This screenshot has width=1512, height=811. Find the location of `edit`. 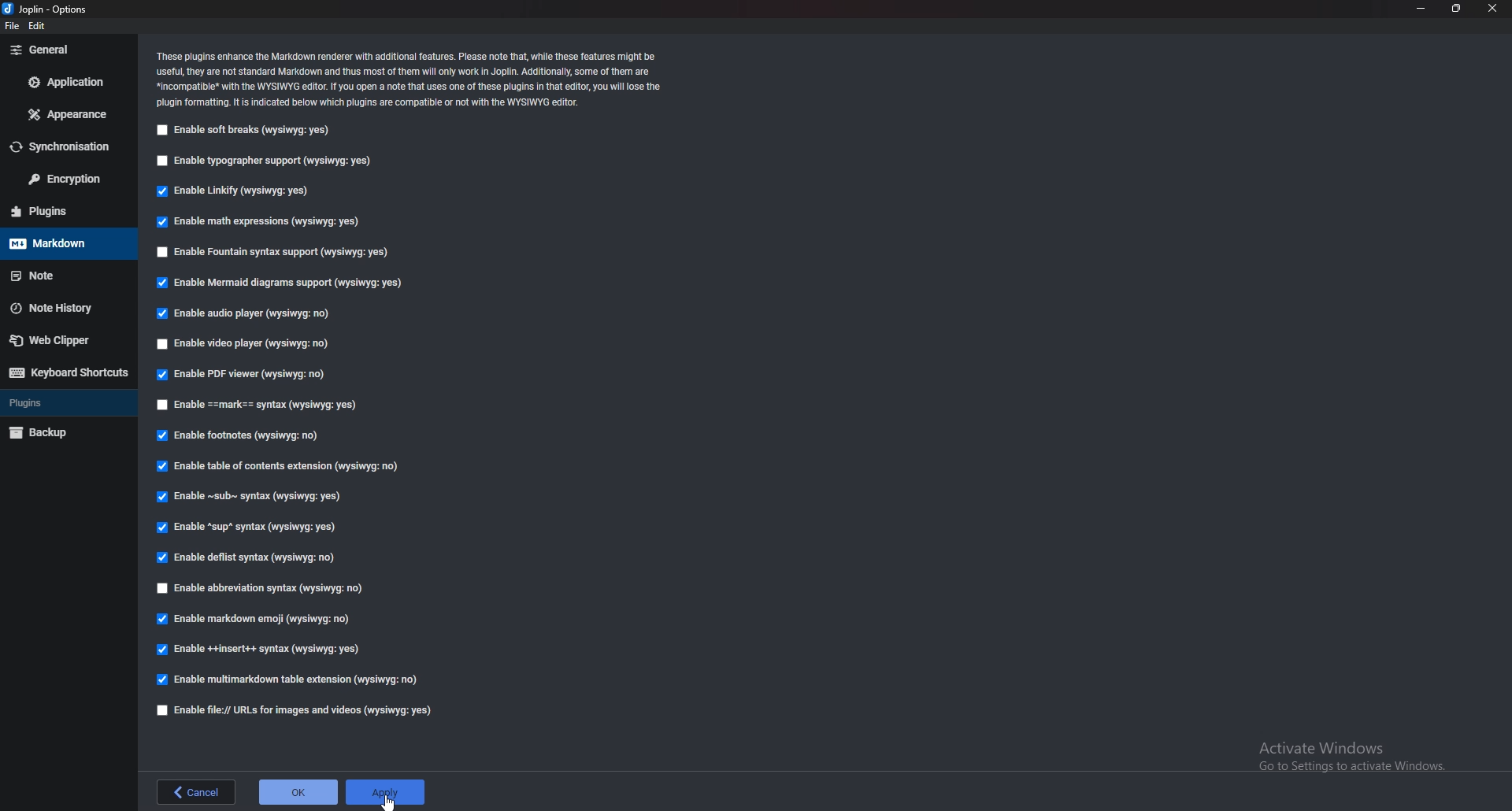

edit is located at coordinates (38, 25).